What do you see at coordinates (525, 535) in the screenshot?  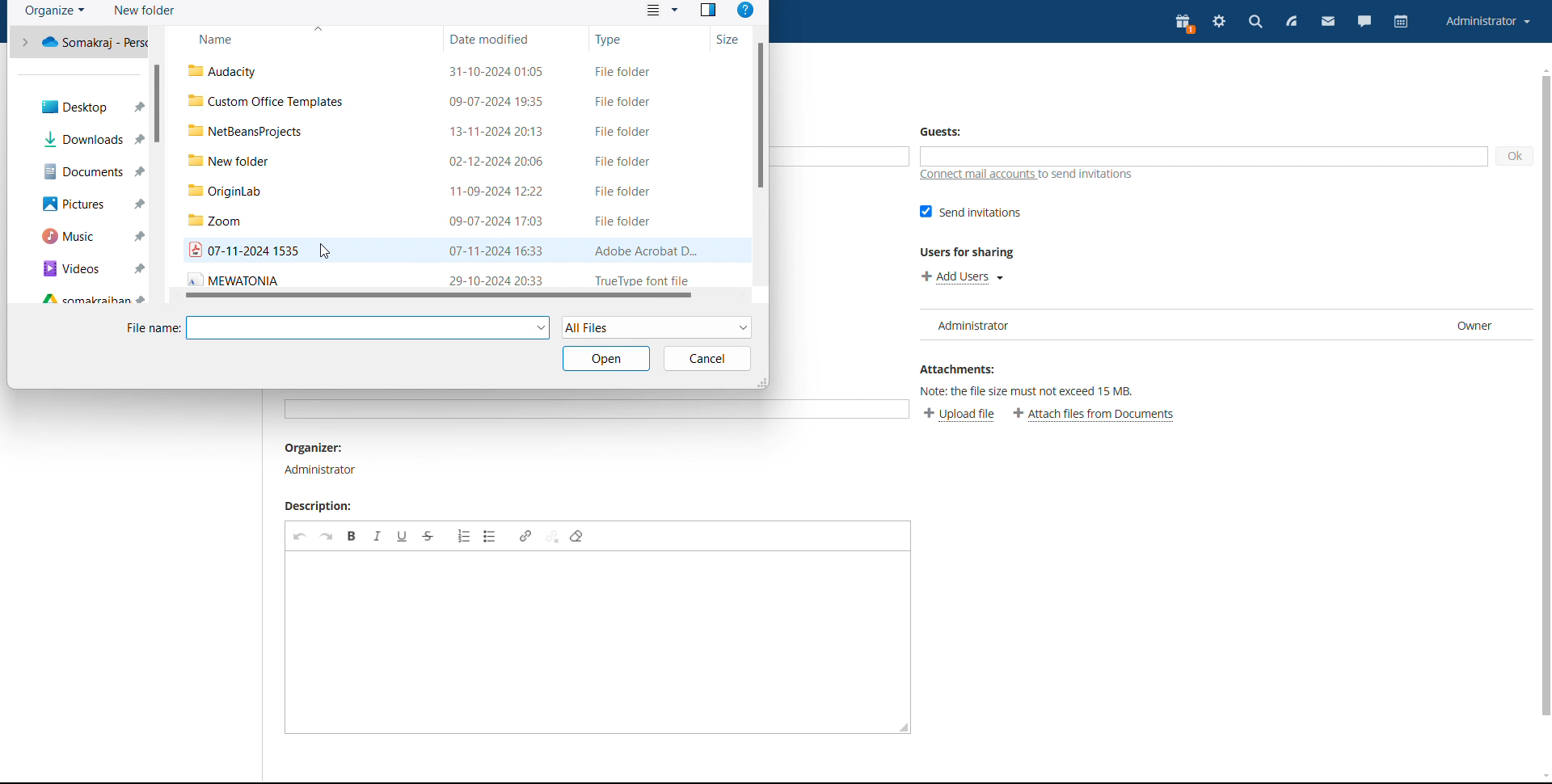 I see `link` at bounding box center [525, 535].